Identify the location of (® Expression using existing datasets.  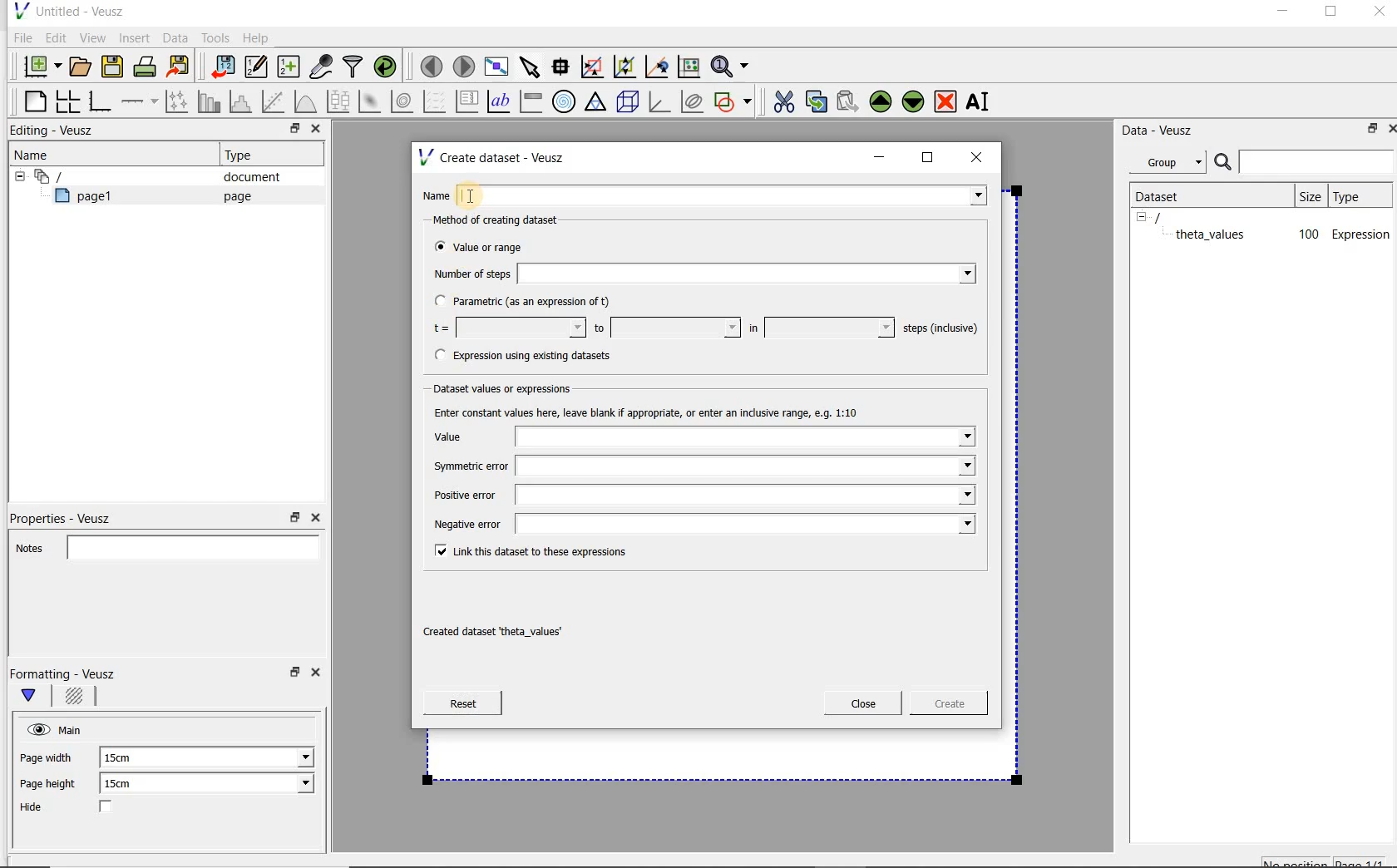
(535, 356).